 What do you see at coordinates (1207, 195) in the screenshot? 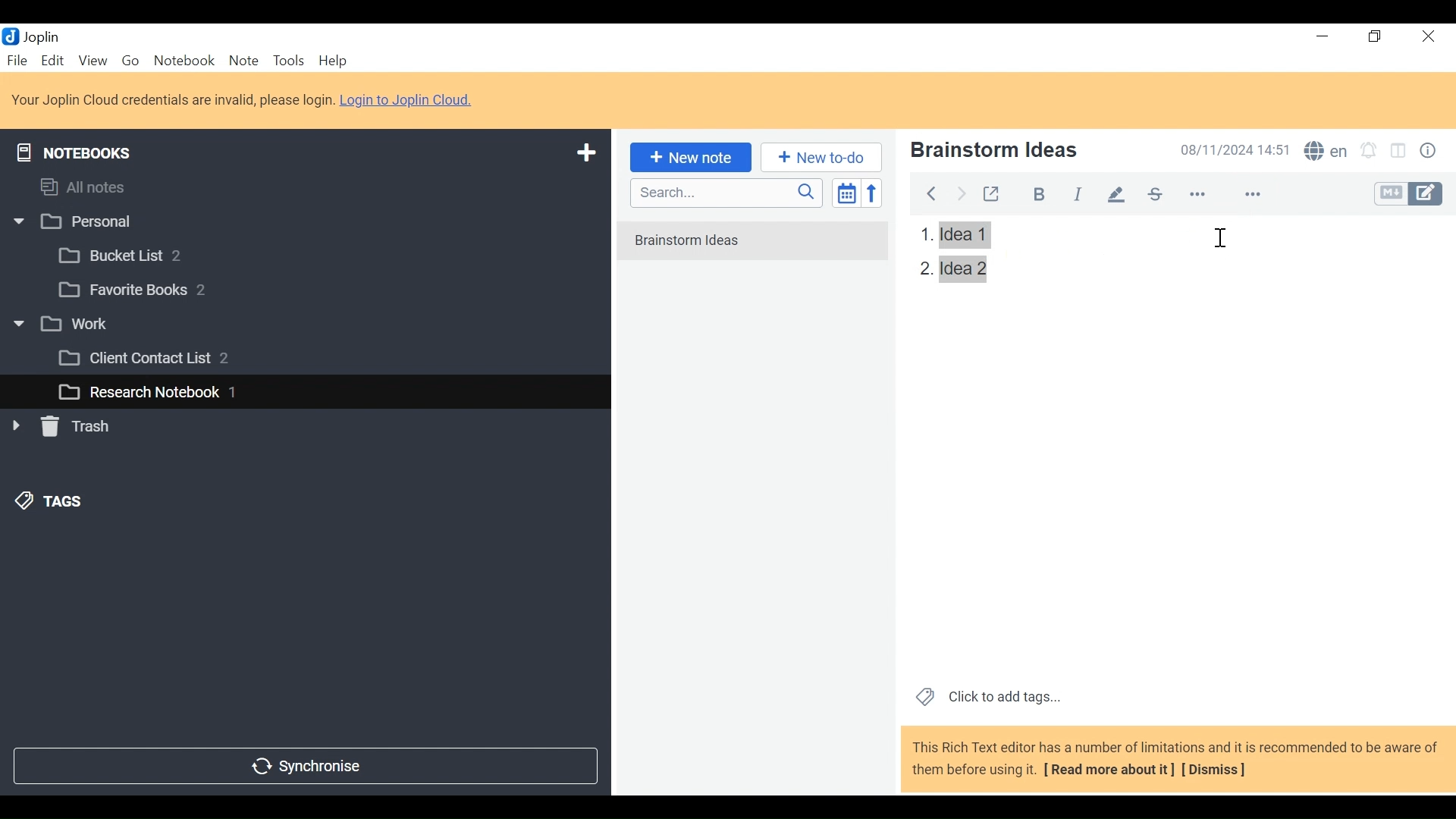
I see `more options` at bounding box center [1207, 195].